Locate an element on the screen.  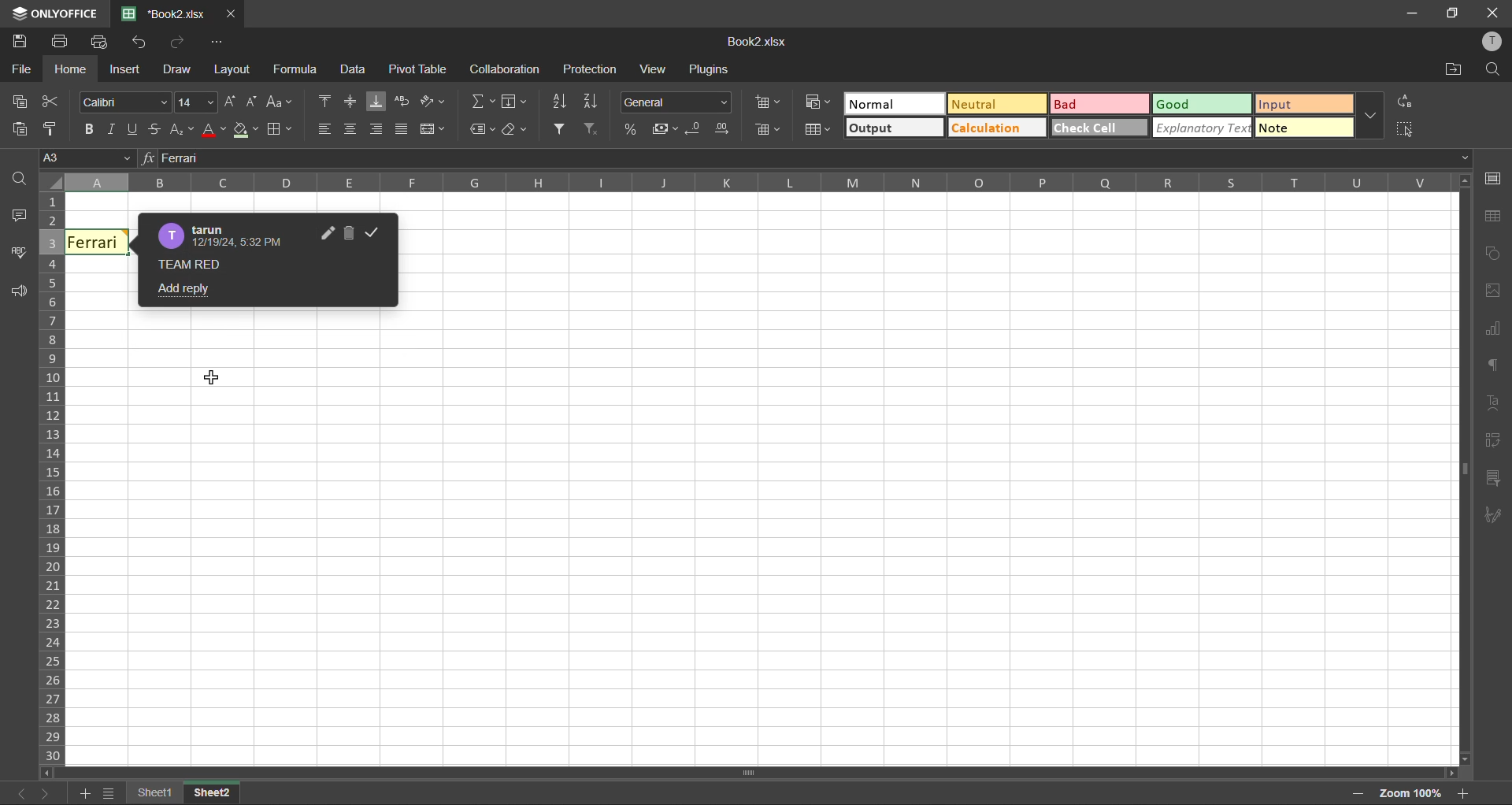
undo is located at coordinates (139, 41).